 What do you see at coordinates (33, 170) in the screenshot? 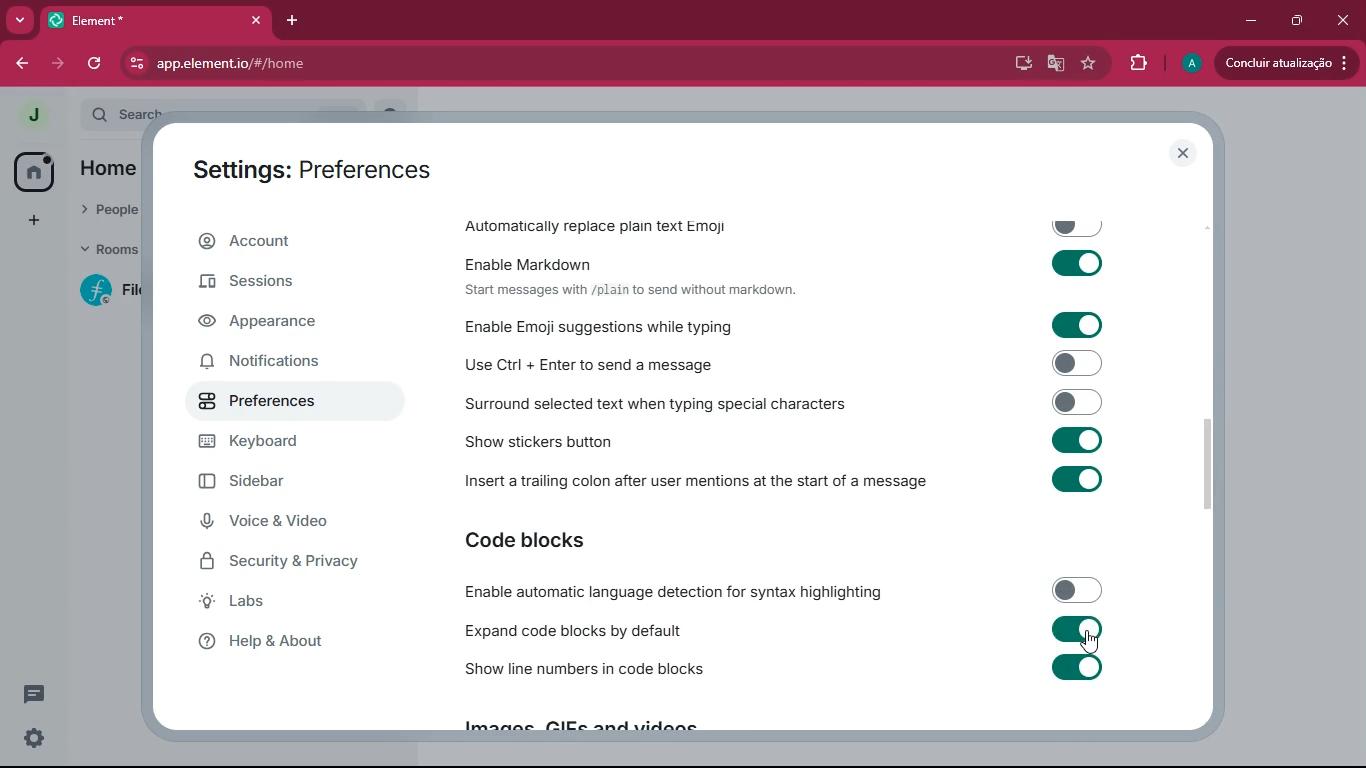
I see `home` at bounding box center [33, 170].